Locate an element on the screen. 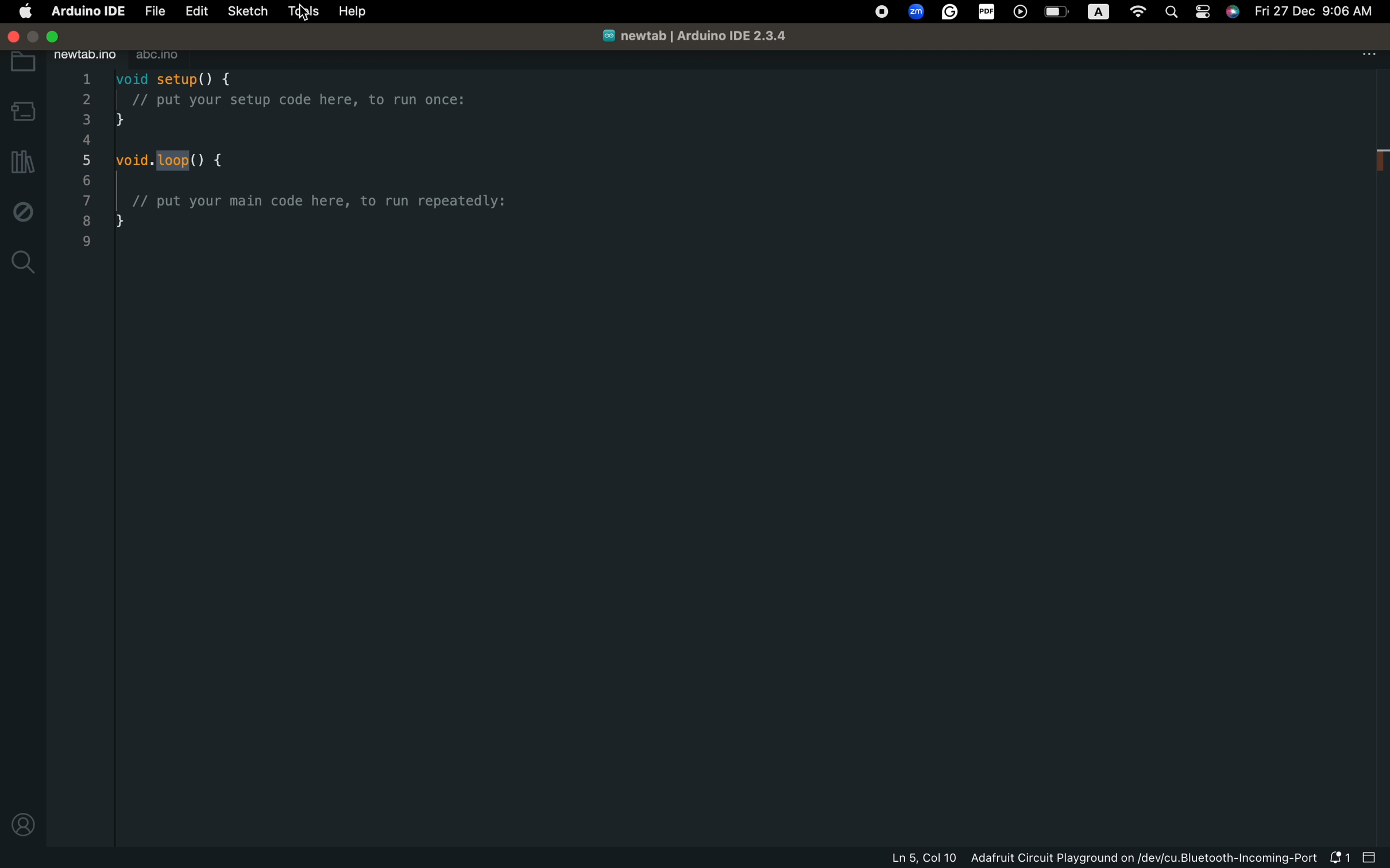  board manager is located at coordinates (24, 111).